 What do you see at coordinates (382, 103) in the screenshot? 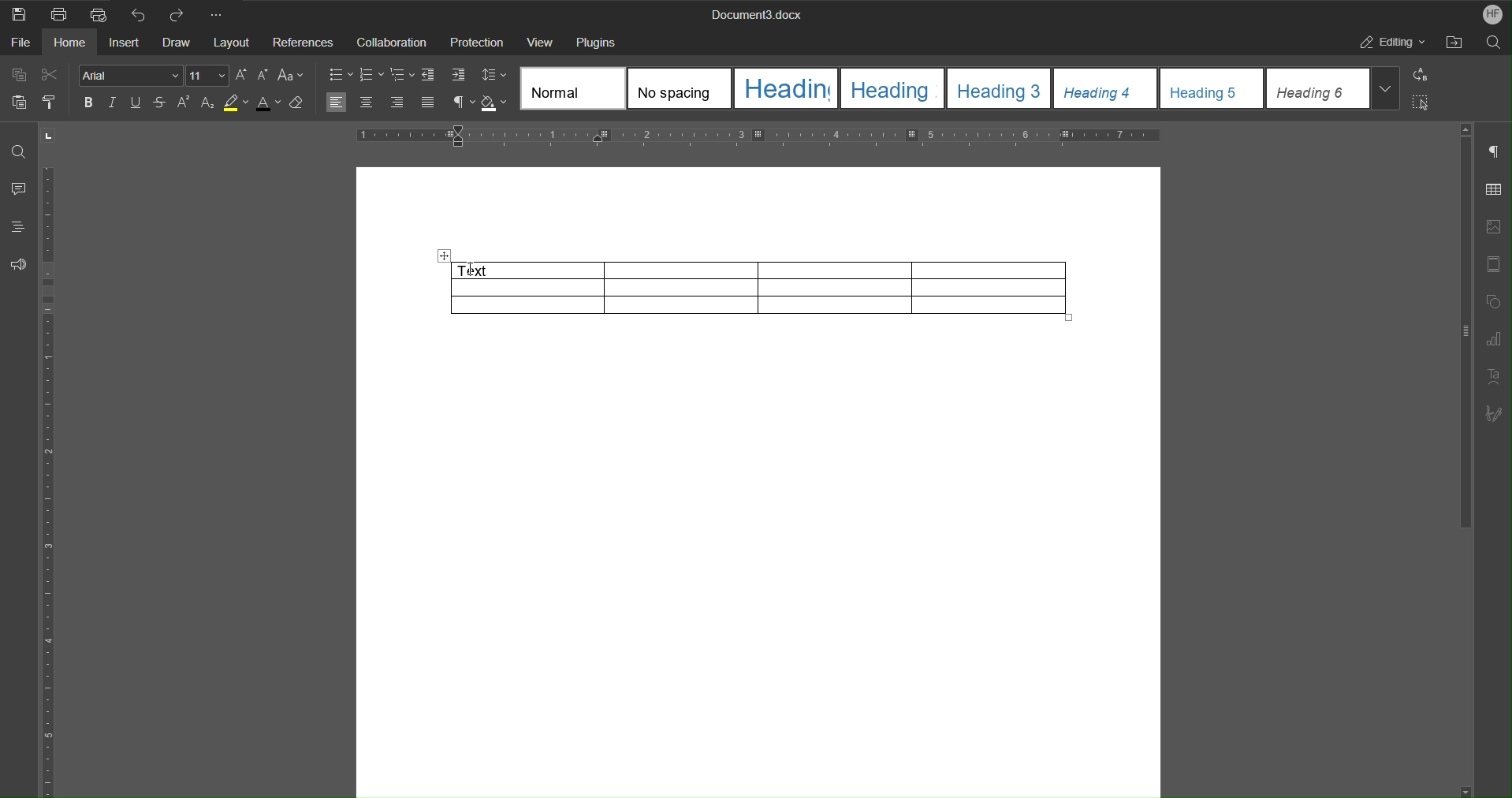
I see `Alignments` at bounding box center [382, 103].